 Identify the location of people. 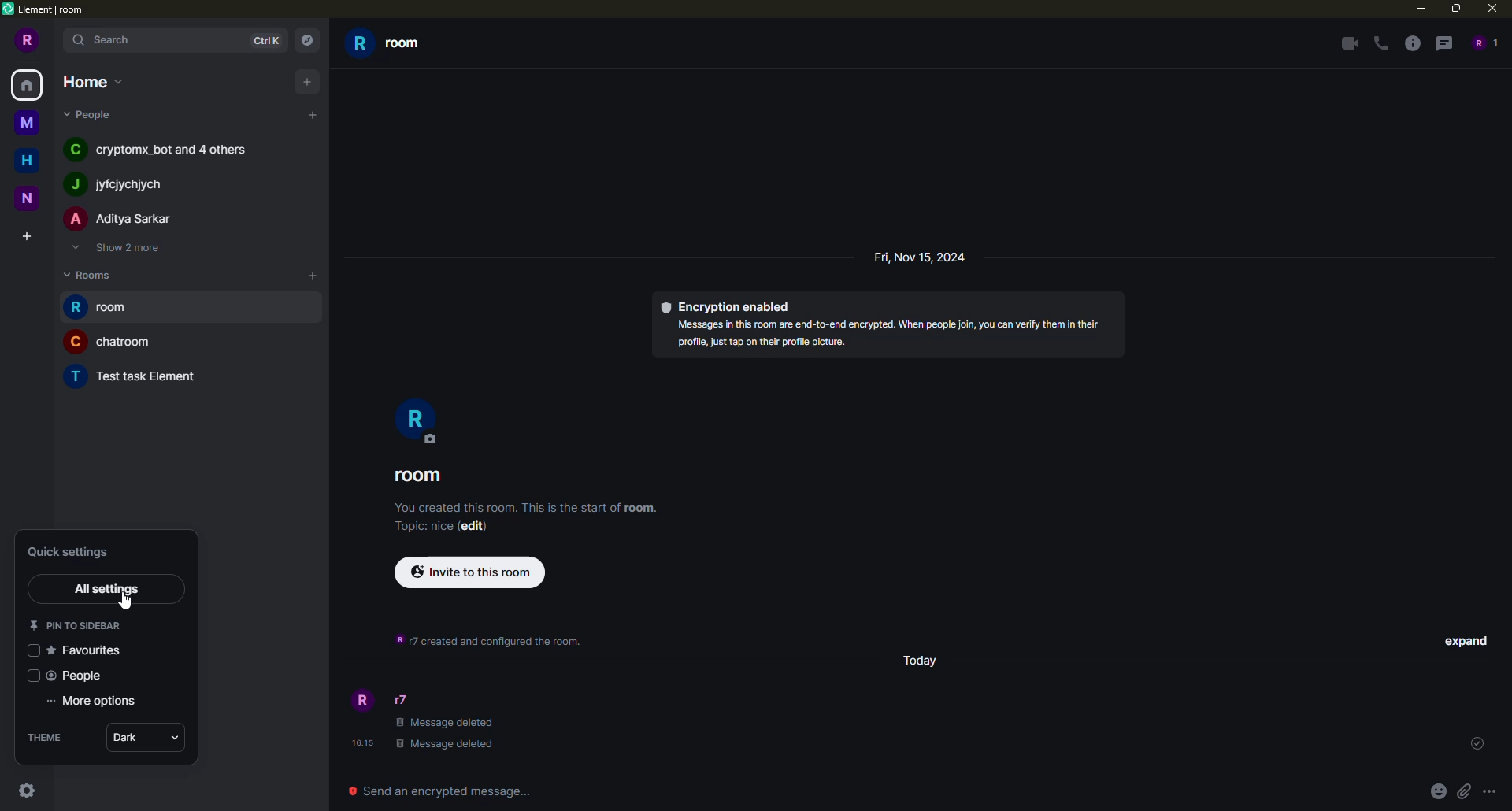
(120, 184).